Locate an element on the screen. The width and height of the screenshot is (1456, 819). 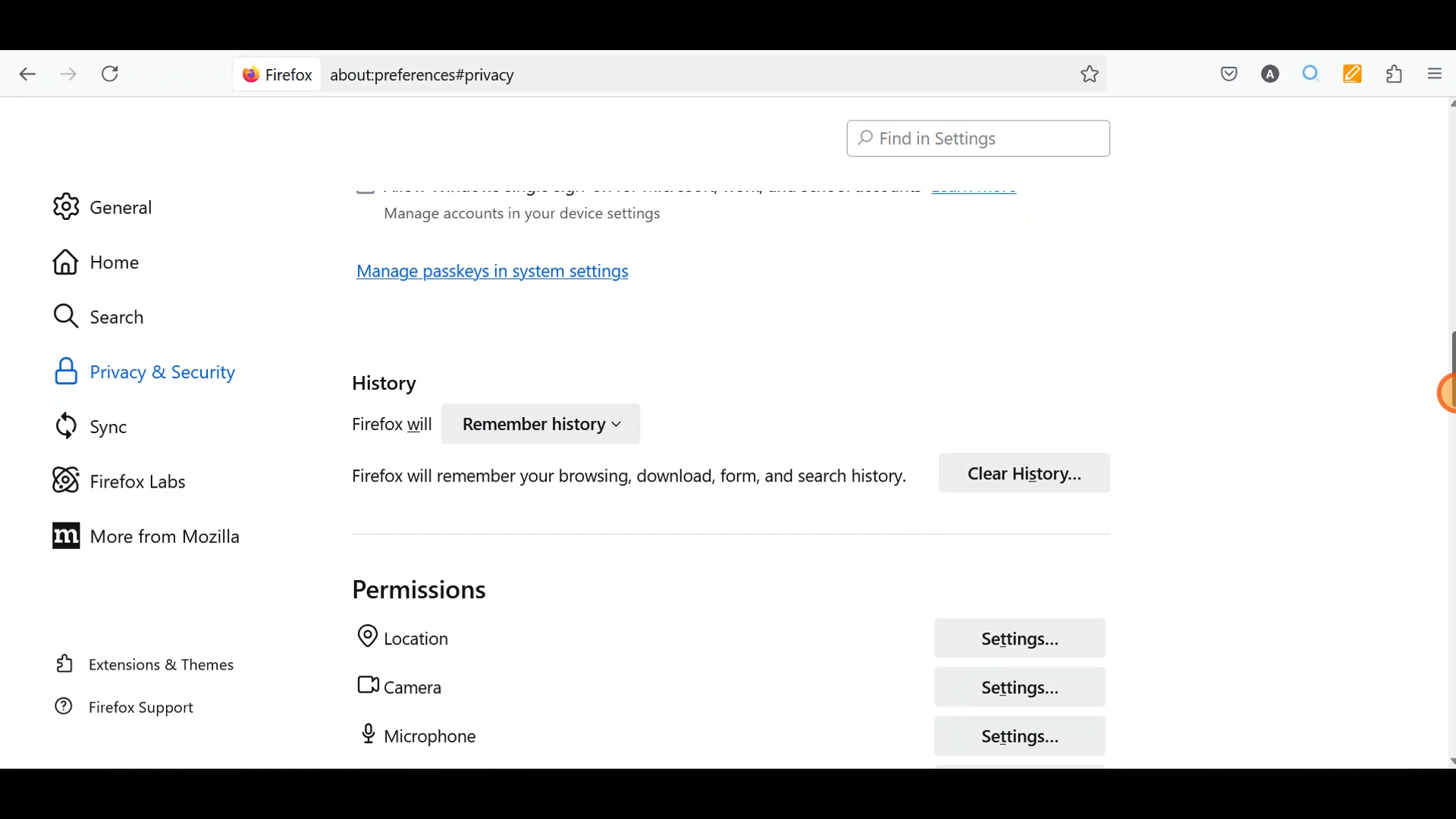
Search bar is located at coordinates (971, 140).